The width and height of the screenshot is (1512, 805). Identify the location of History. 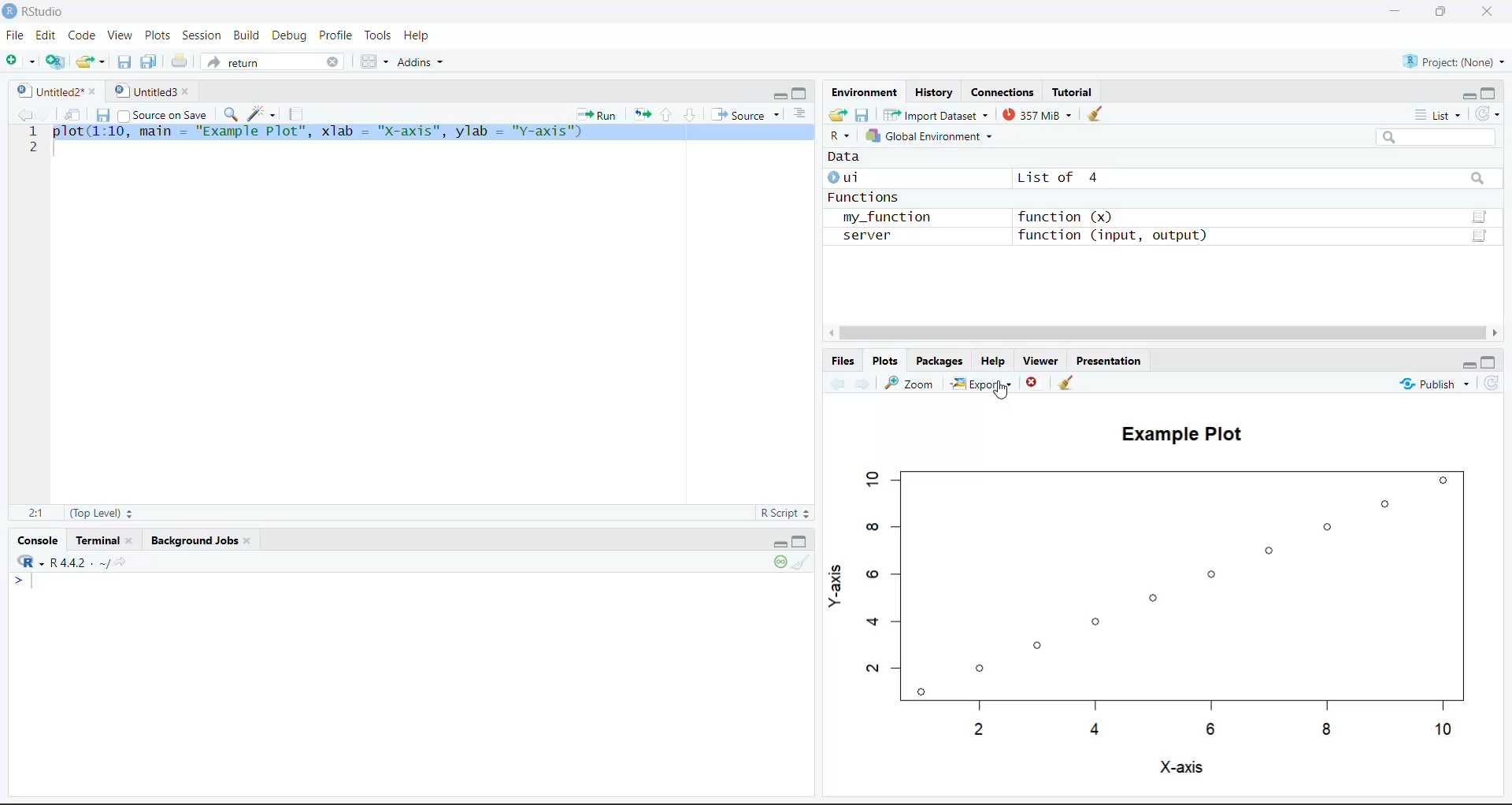
(934, 91).